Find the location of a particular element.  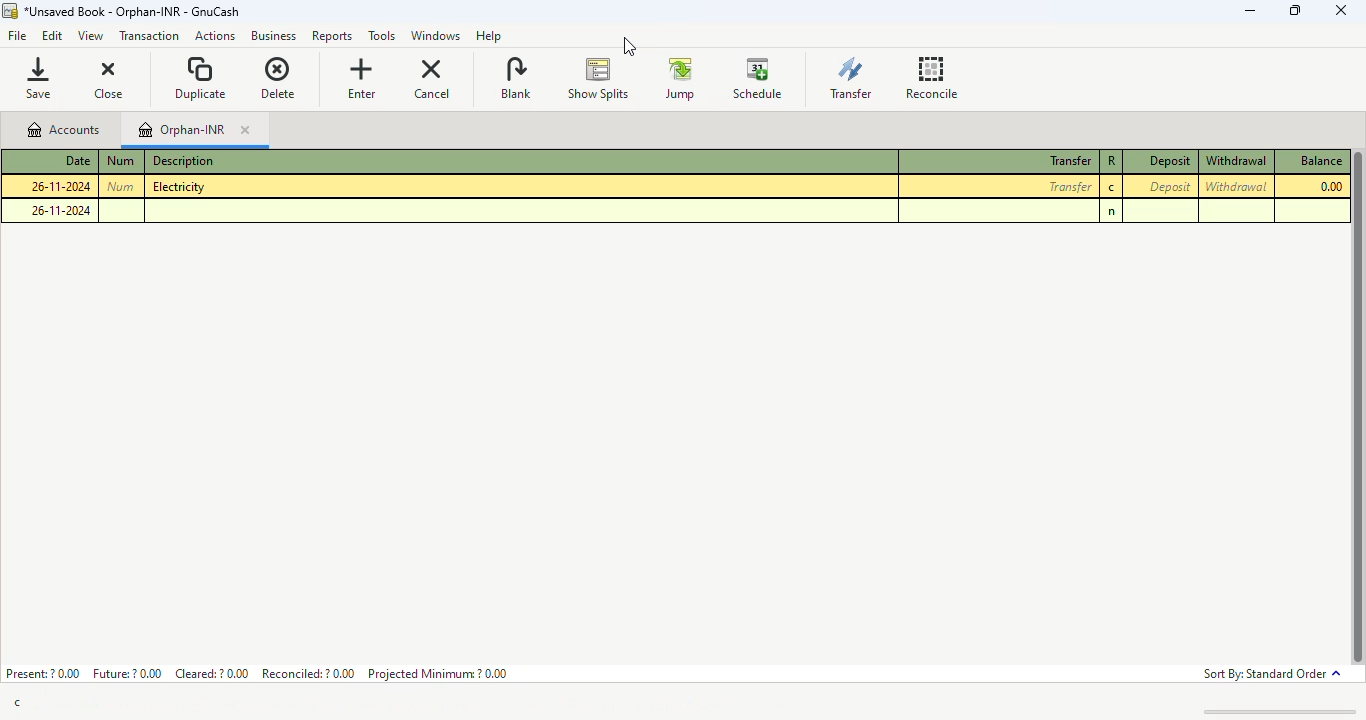

orphan-INR is located at coordinates (183, 130).